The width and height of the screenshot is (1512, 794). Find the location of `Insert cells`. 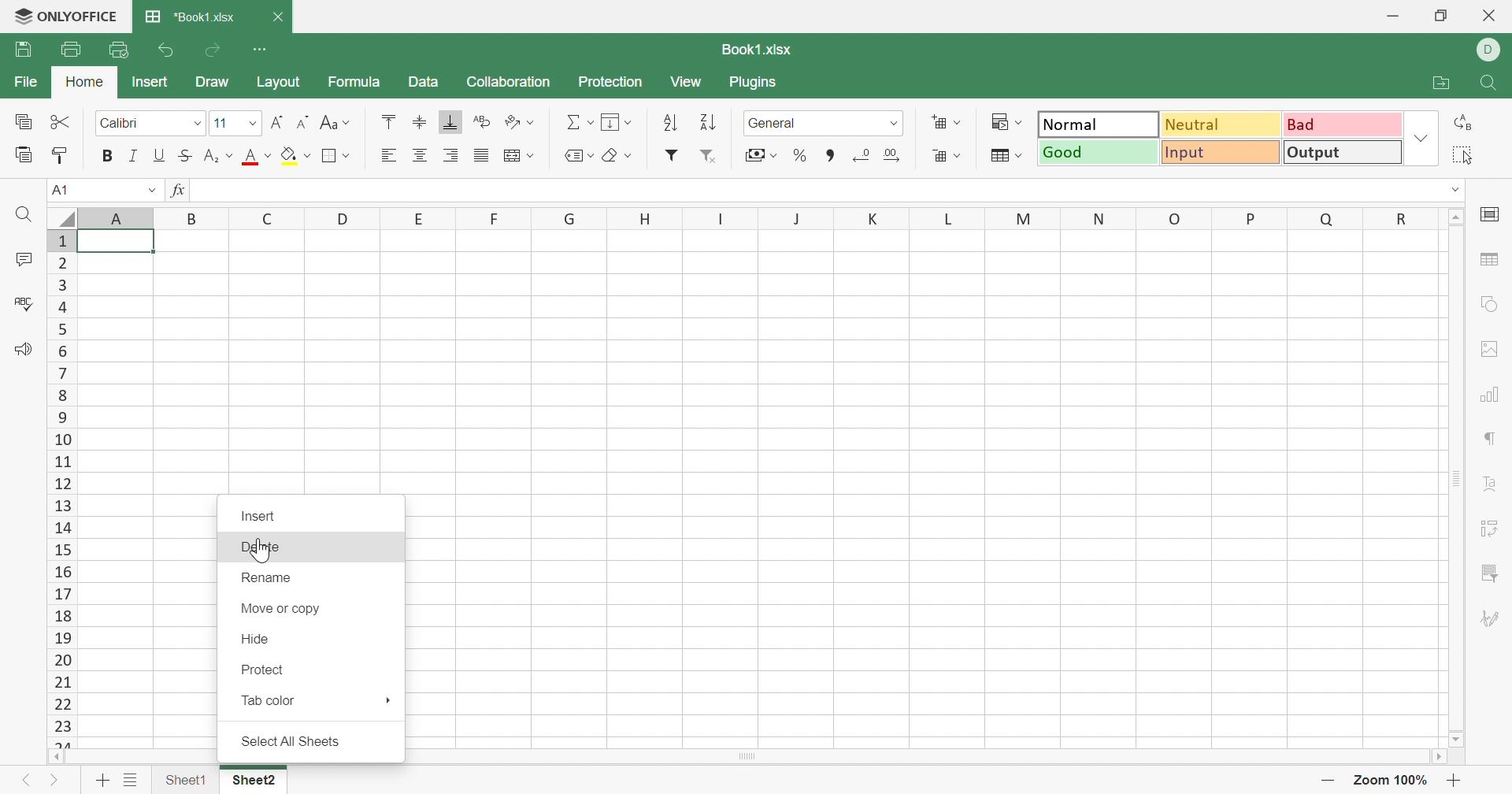

Insert cells is located at coordinates (939, 122).